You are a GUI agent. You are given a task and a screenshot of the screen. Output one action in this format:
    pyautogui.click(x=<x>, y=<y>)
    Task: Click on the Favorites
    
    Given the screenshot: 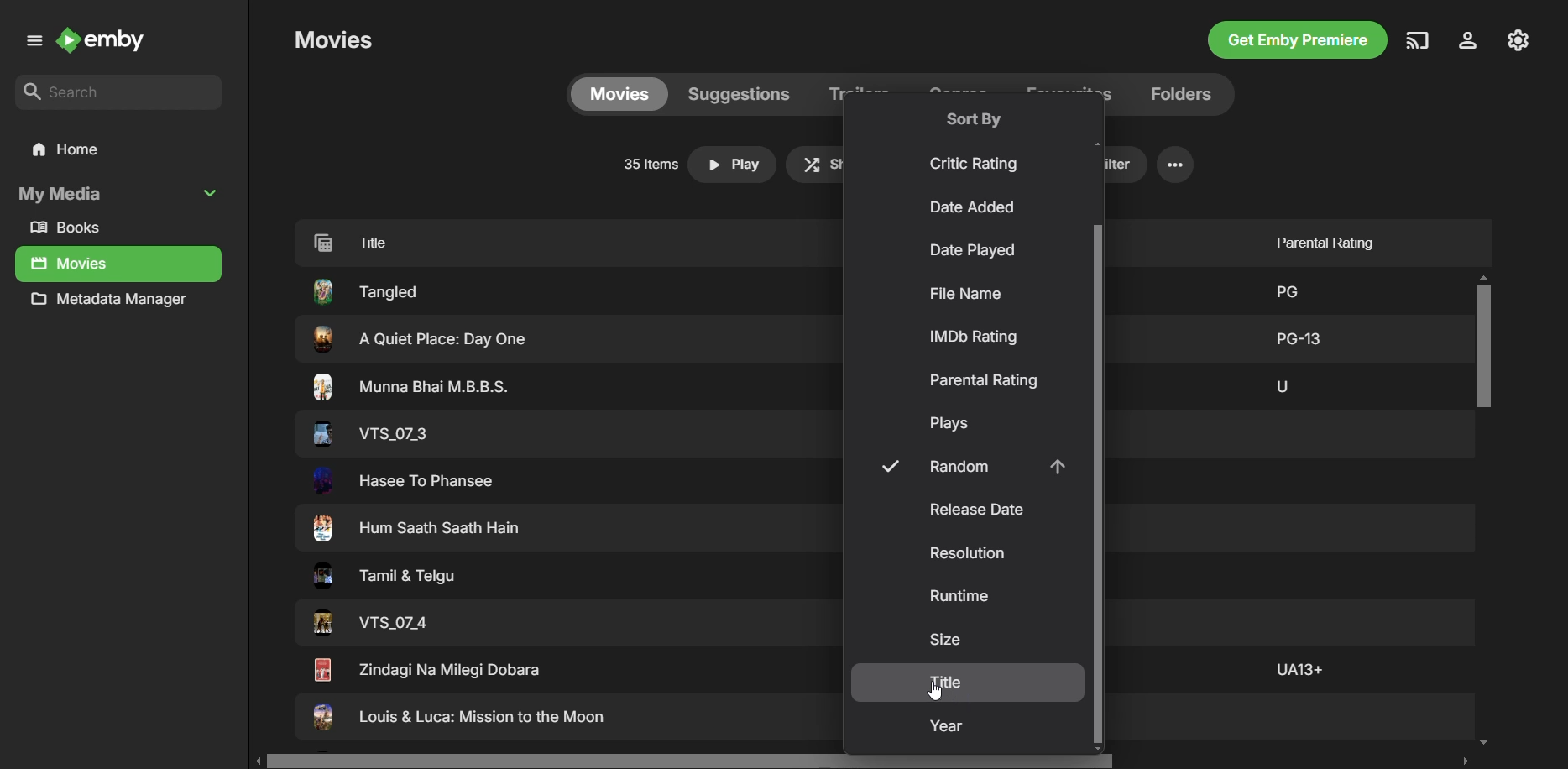 What is the action you would take?
    pyautogui.click(x=1067, y=92)
    